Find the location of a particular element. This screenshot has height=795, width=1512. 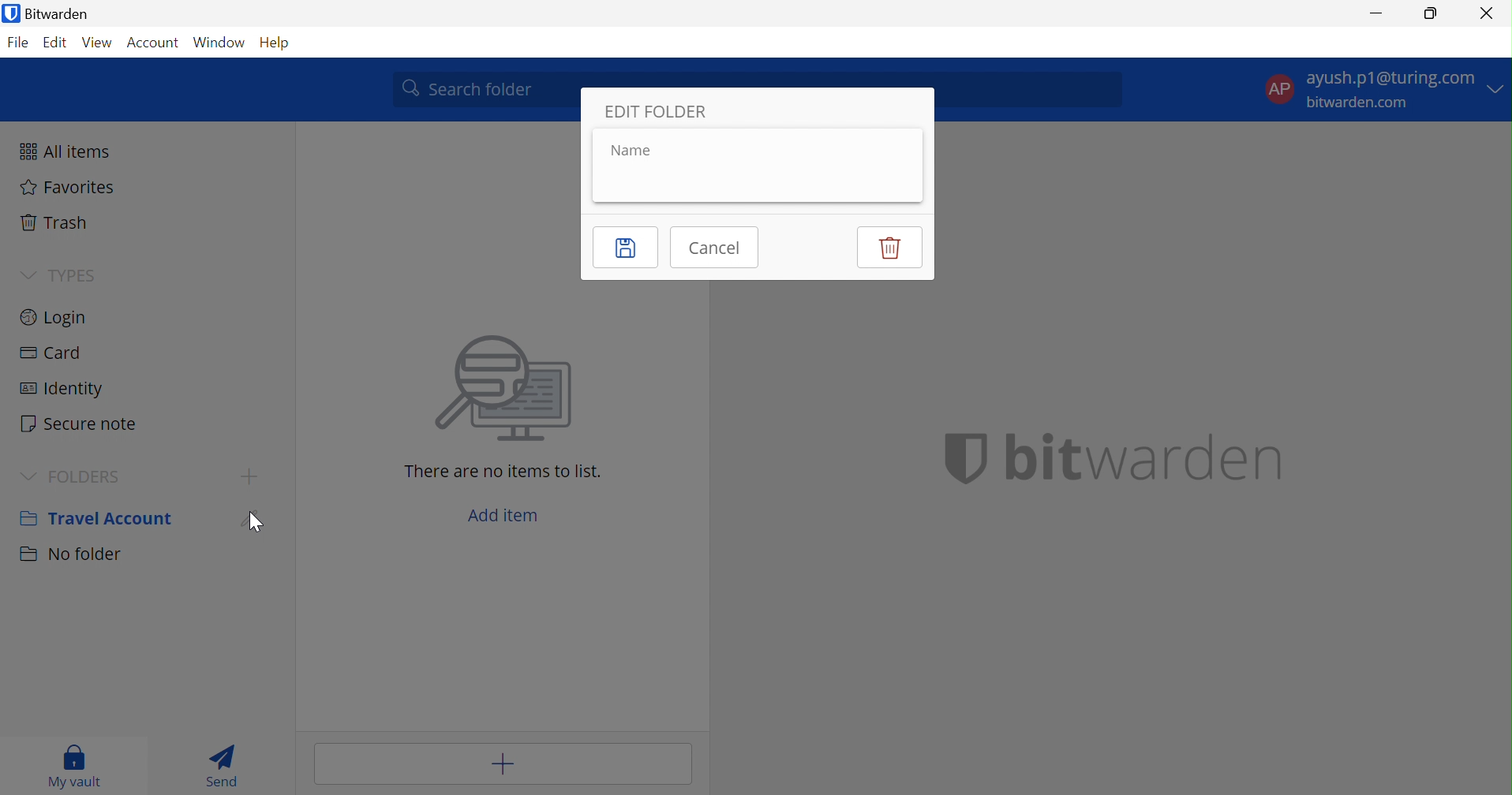

No folder is located at coordinates (70, 558).